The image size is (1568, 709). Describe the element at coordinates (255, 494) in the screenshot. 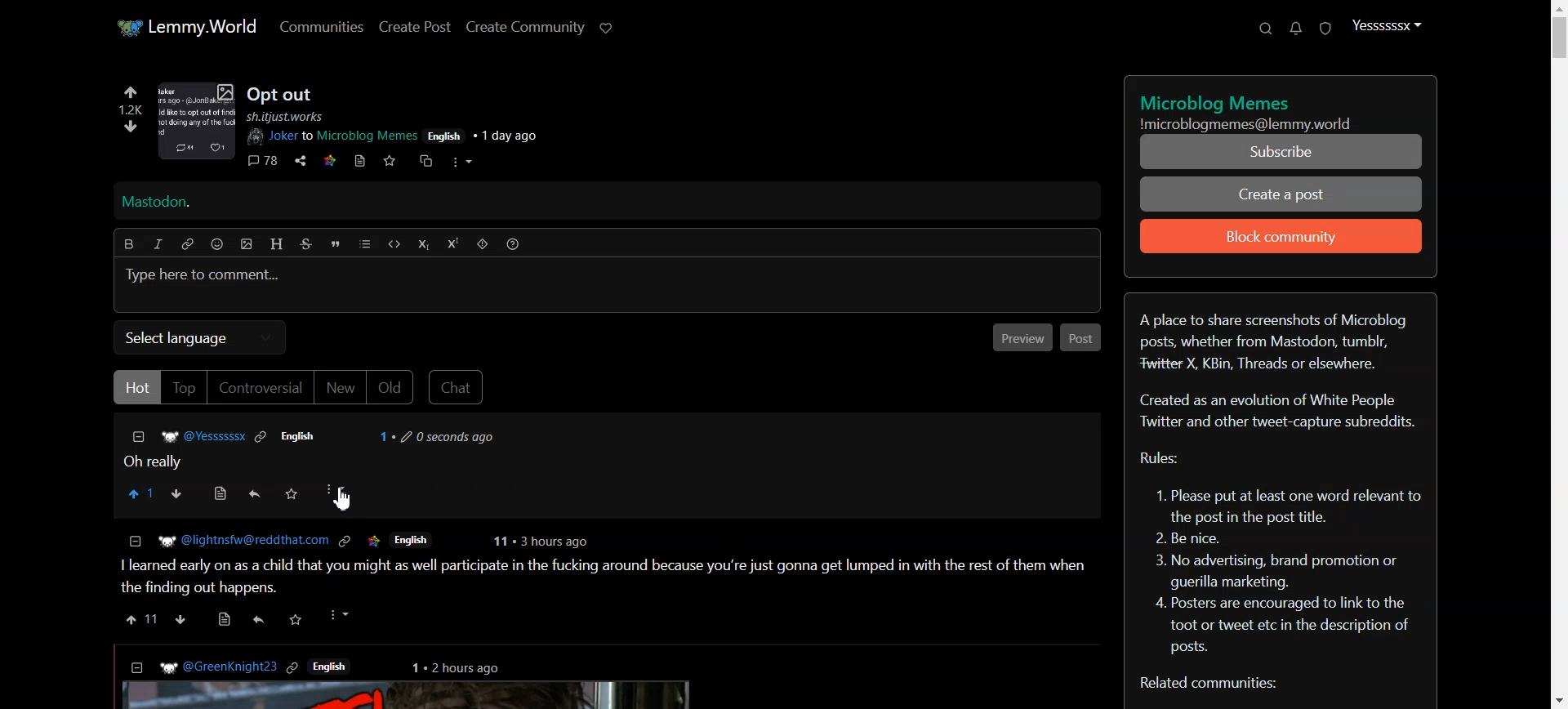

I see `Reply` at that location.